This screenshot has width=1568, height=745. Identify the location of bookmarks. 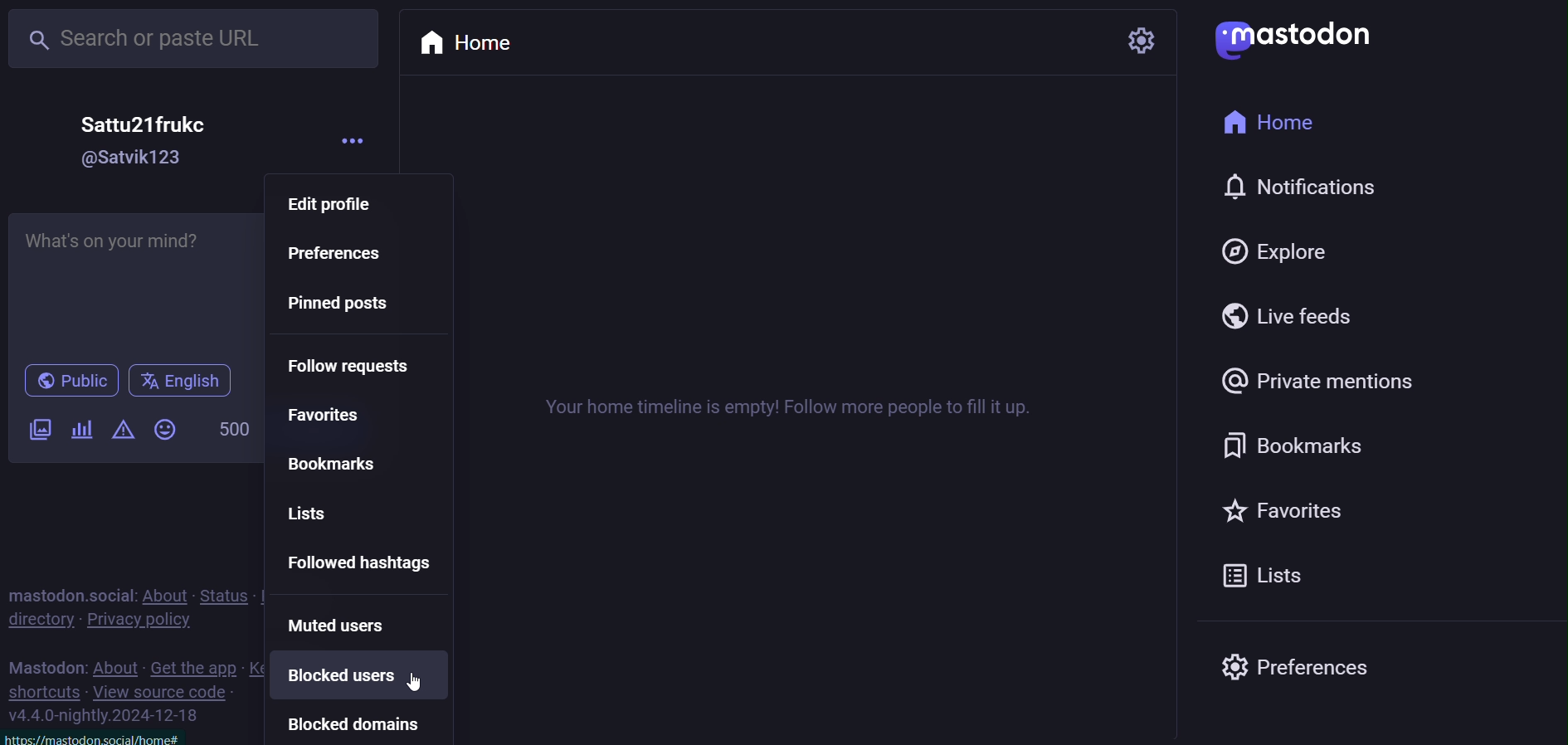
(344, 465).